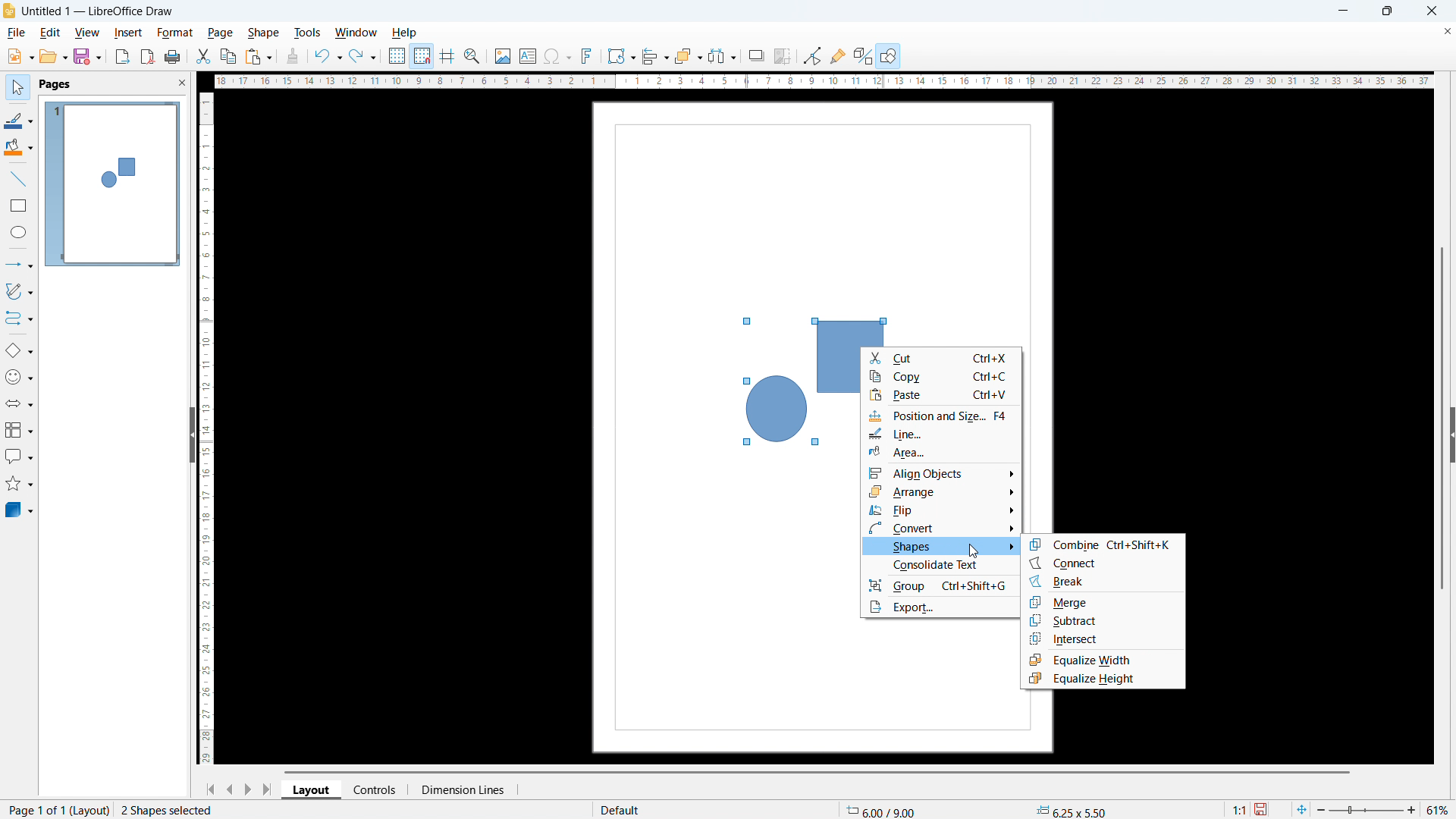 This screenshot has width=1456, height=819. What do you see at coordinates (17, 431) in the screenshot?
I see `flowchart` at bounding box center [17, 431].